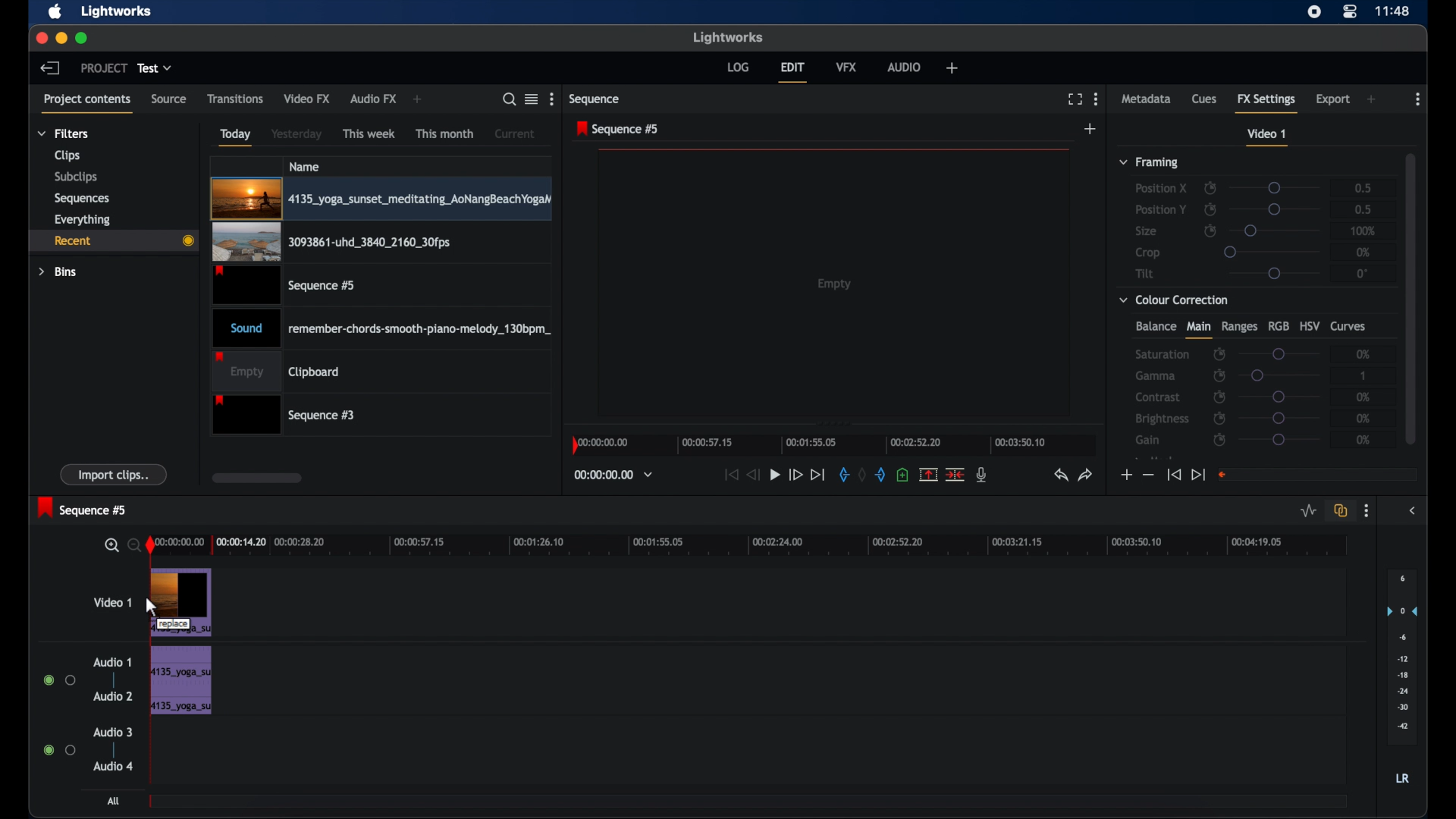 Image resolution: width=1456 pixels, height=819 pixels. I want to click on log, so click(738, 66).